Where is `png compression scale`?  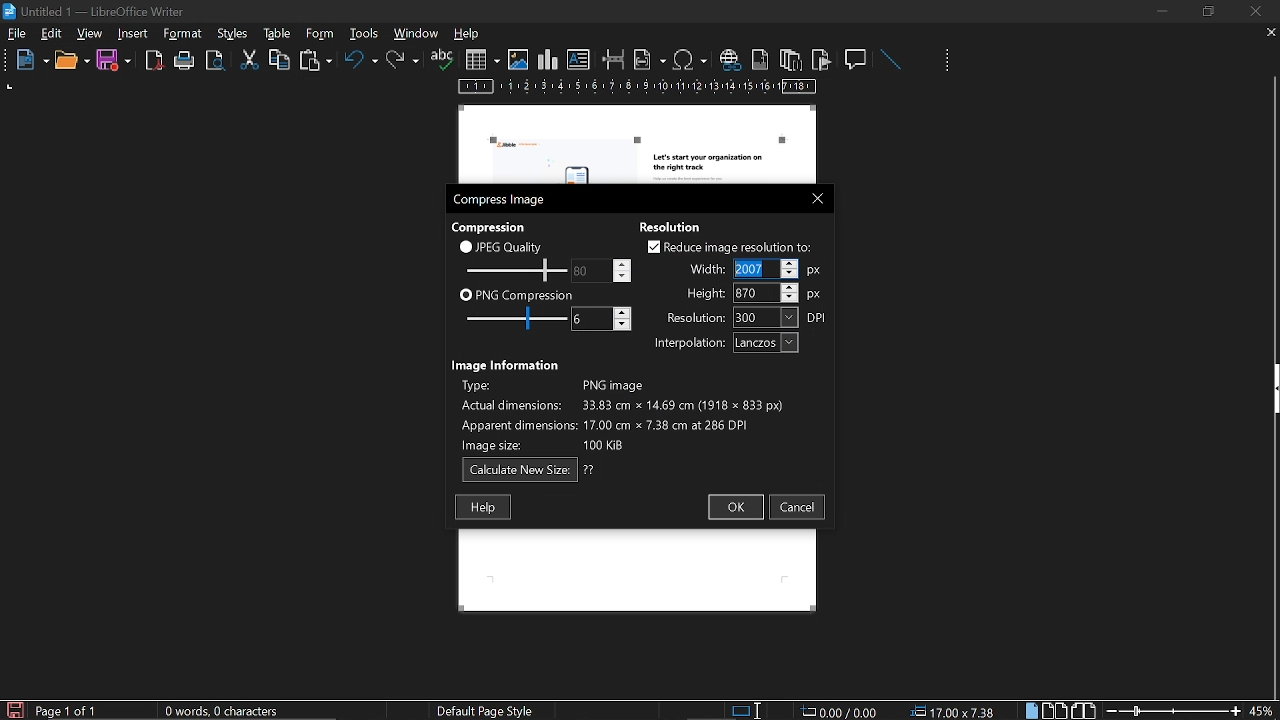 png compression scale is located at coordinates (511, 318).